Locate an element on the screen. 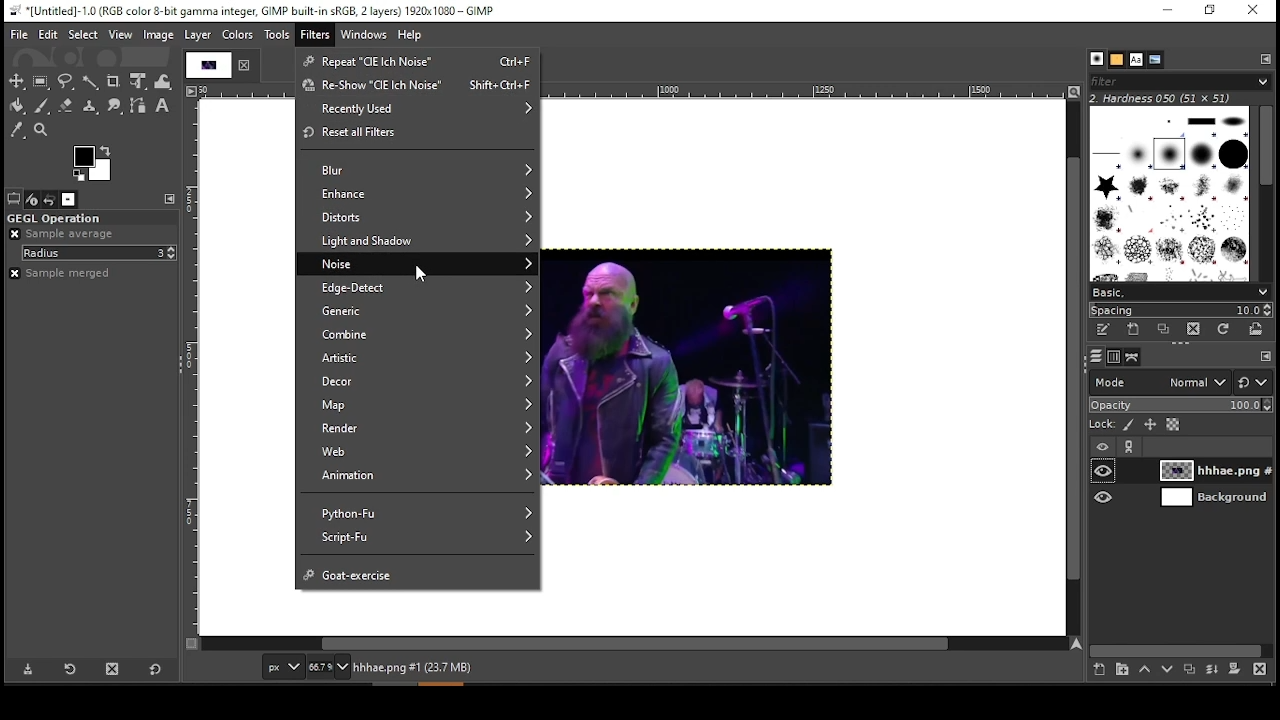 This screenshot has width=1280, height=720. help is located at coordinates (412, 35).